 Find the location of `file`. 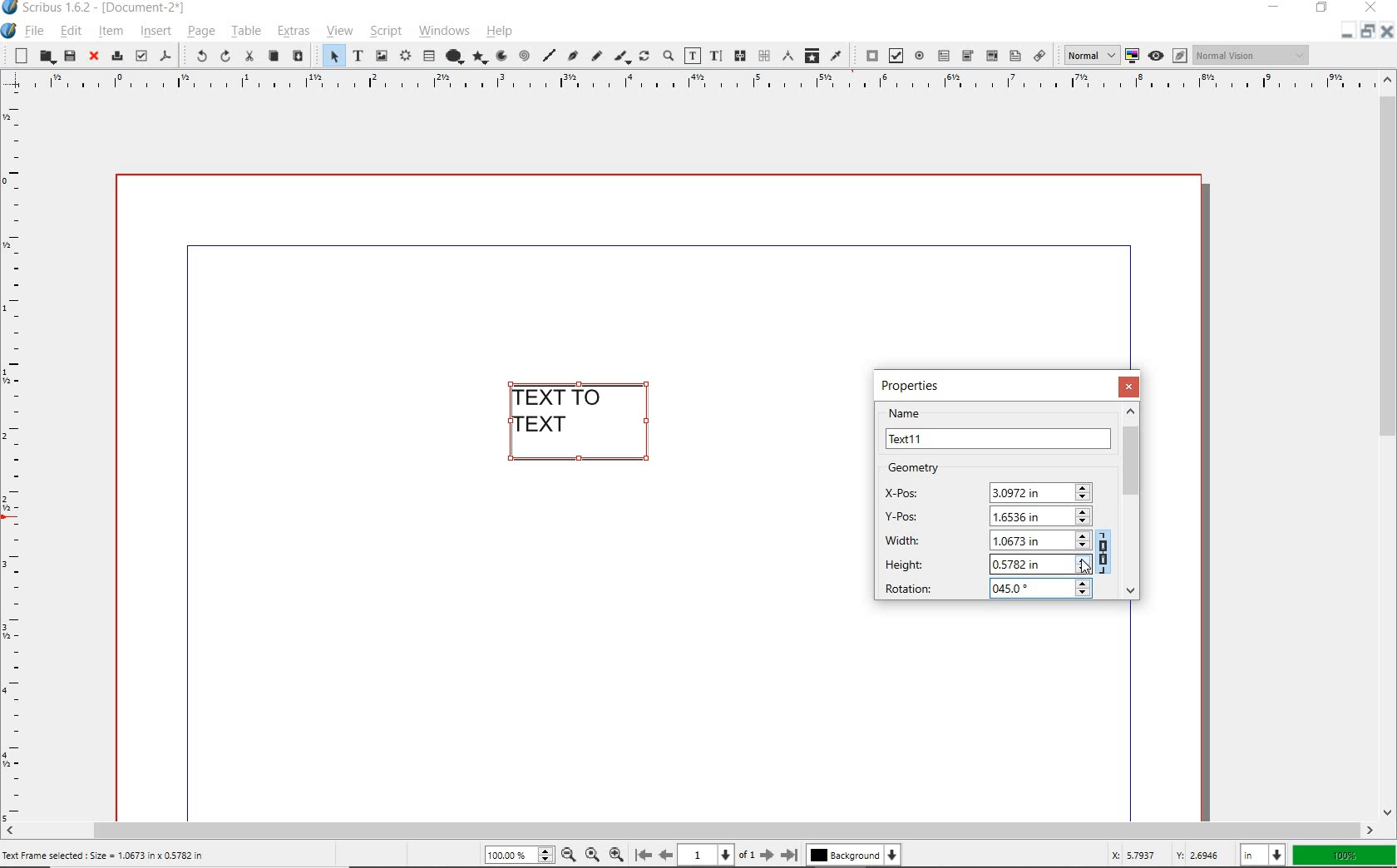

file is located at coordinates (36, 32).